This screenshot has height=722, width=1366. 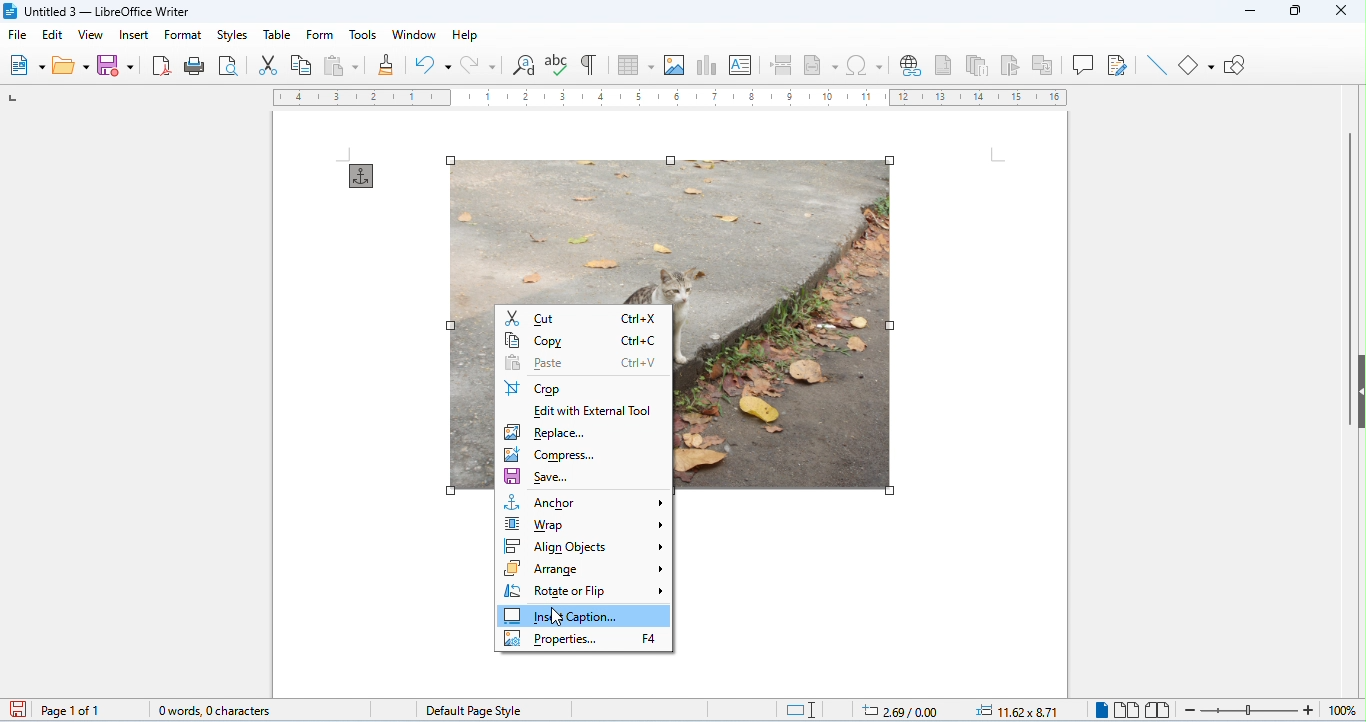 What do you see at coordinates (341, 65) in the screenshot?
I see `paste` at bounding box center [341, 65].